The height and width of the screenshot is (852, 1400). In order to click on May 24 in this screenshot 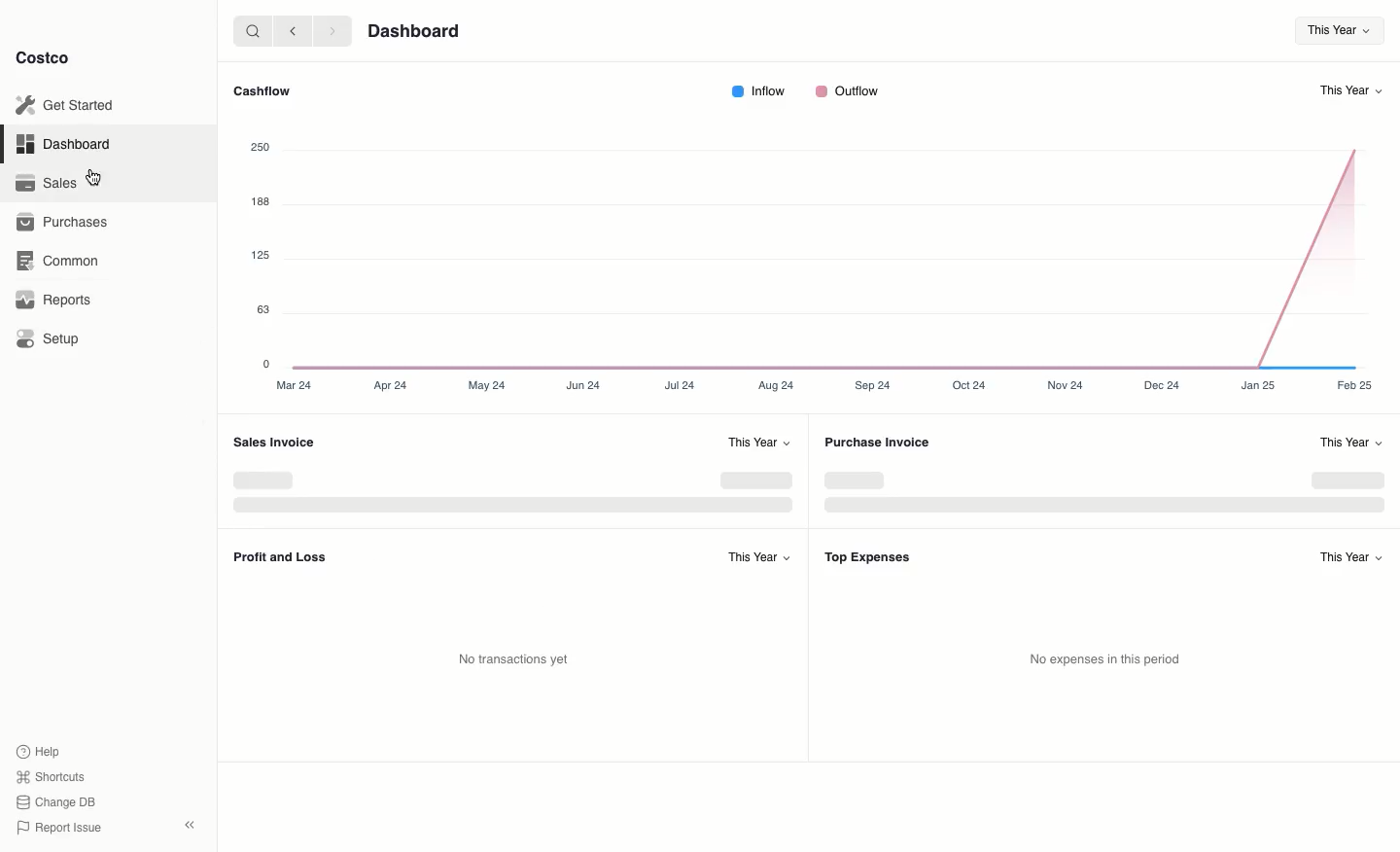, I will do `click(488, 385)`.